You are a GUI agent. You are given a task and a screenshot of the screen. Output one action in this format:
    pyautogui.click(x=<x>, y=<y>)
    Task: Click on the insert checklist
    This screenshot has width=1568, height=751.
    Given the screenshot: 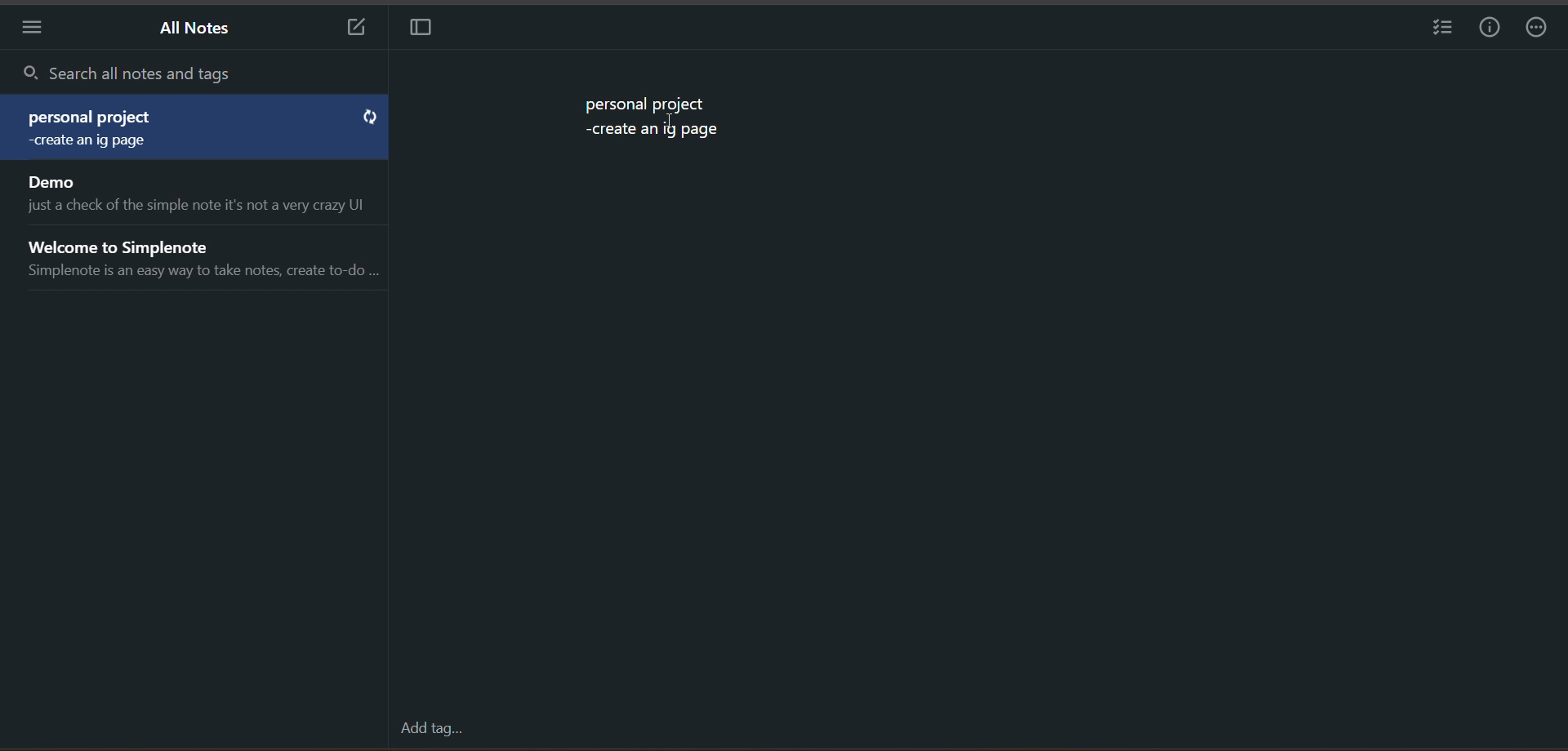 What is the action you would take?
    pyautogui.click(x=1439, y=31)
    